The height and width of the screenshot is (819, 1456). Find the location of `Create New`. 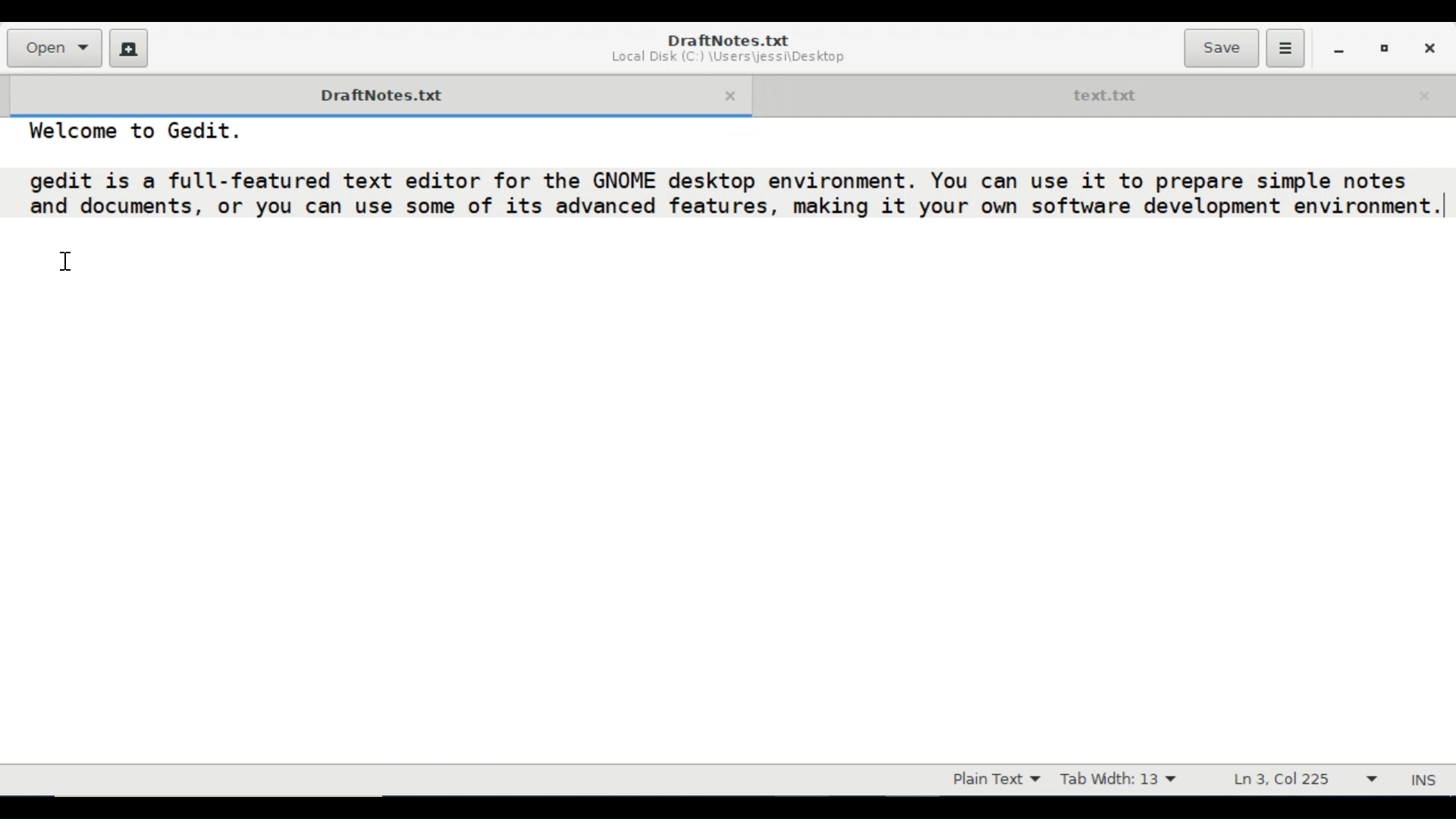

Create New is located at coordinates (129, 48).